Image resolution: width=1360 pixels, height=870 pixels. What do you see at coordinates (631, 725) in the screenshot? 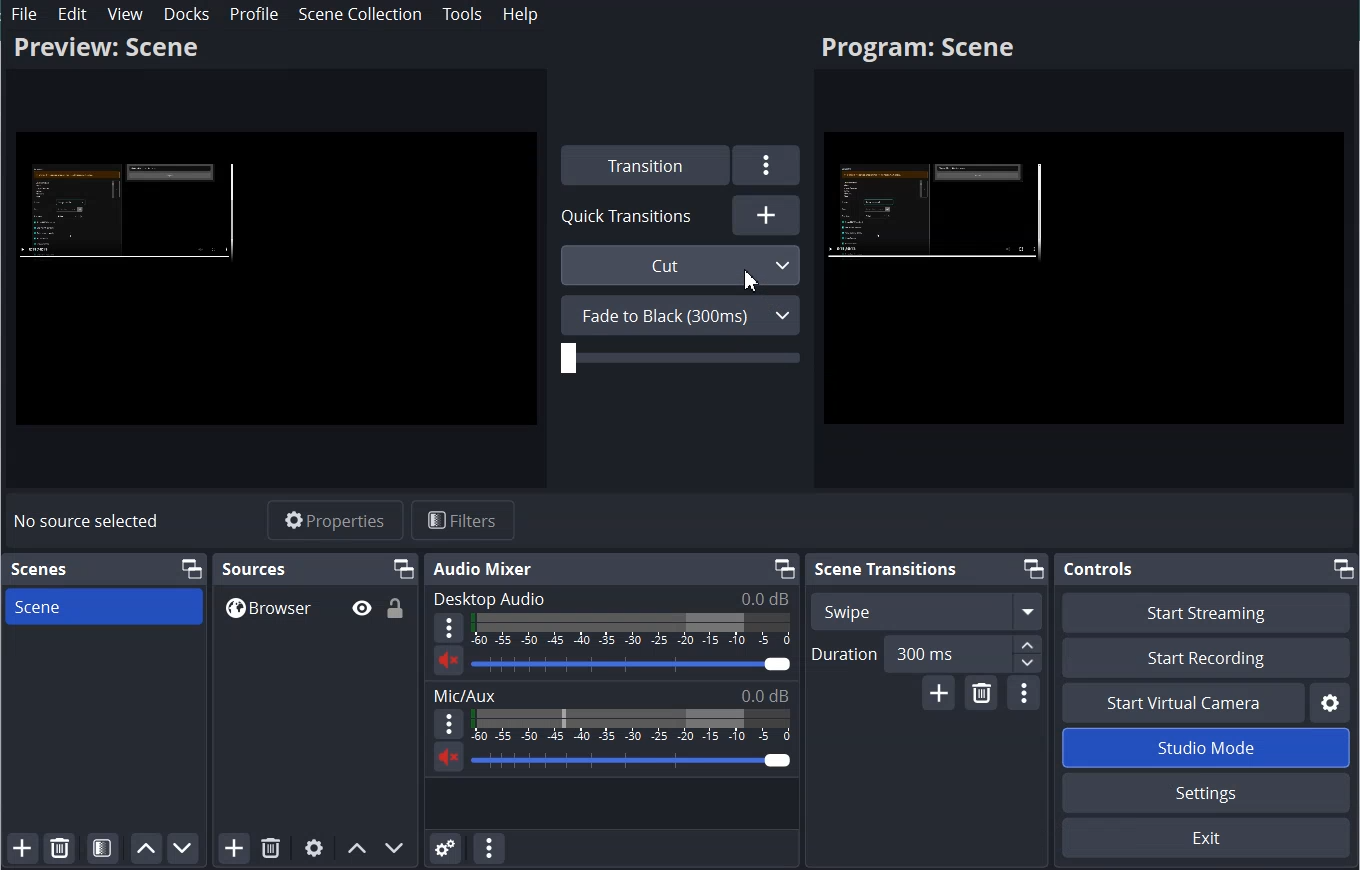
I see `Sound Indicator` at bounding box center [631, 725].